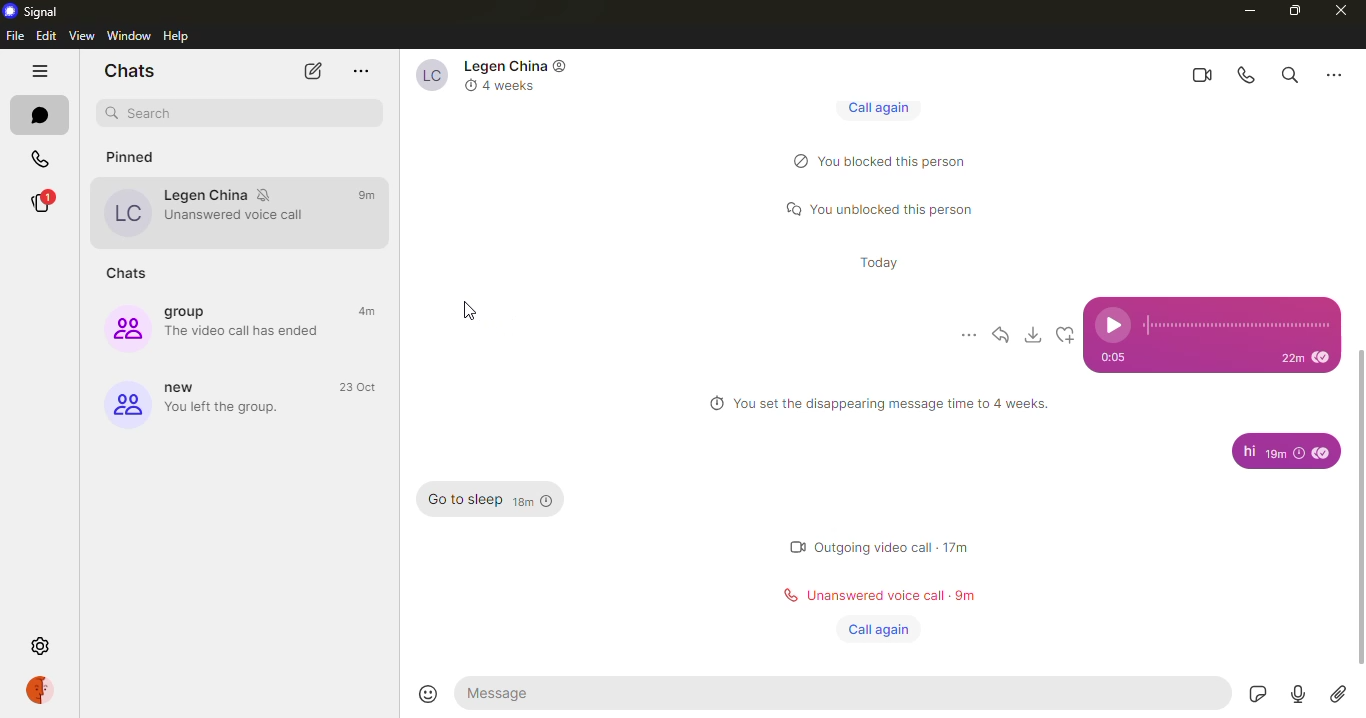 Image resolution: width=1366 pixels, height=718 pixels. I want to click on chats, so click(130, 273).